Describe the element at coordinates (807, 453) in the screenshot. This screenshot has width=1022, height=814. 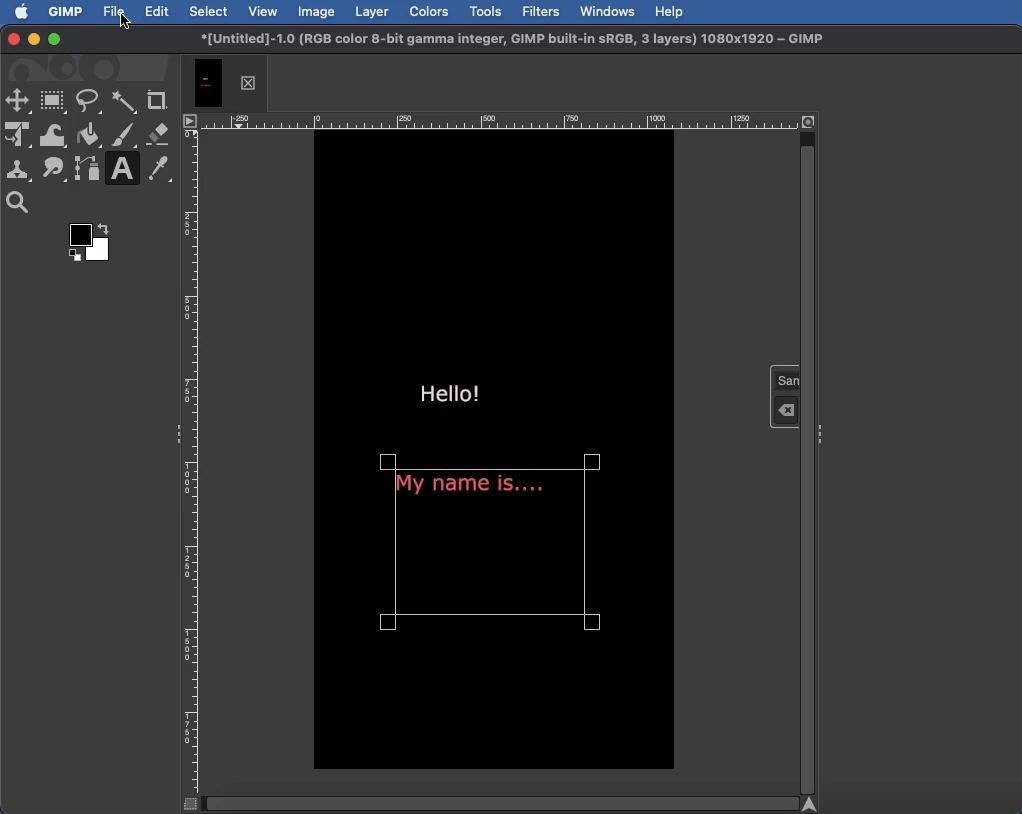
I see `Scroll` at that location.